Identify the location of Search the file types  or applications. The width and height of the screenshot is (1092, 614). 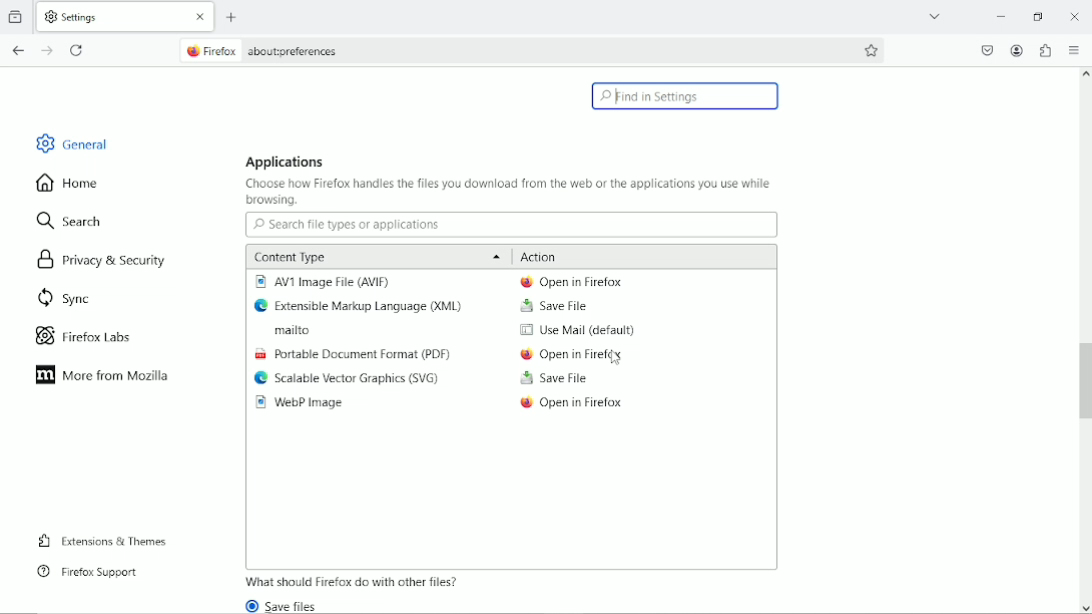
(511, 225).